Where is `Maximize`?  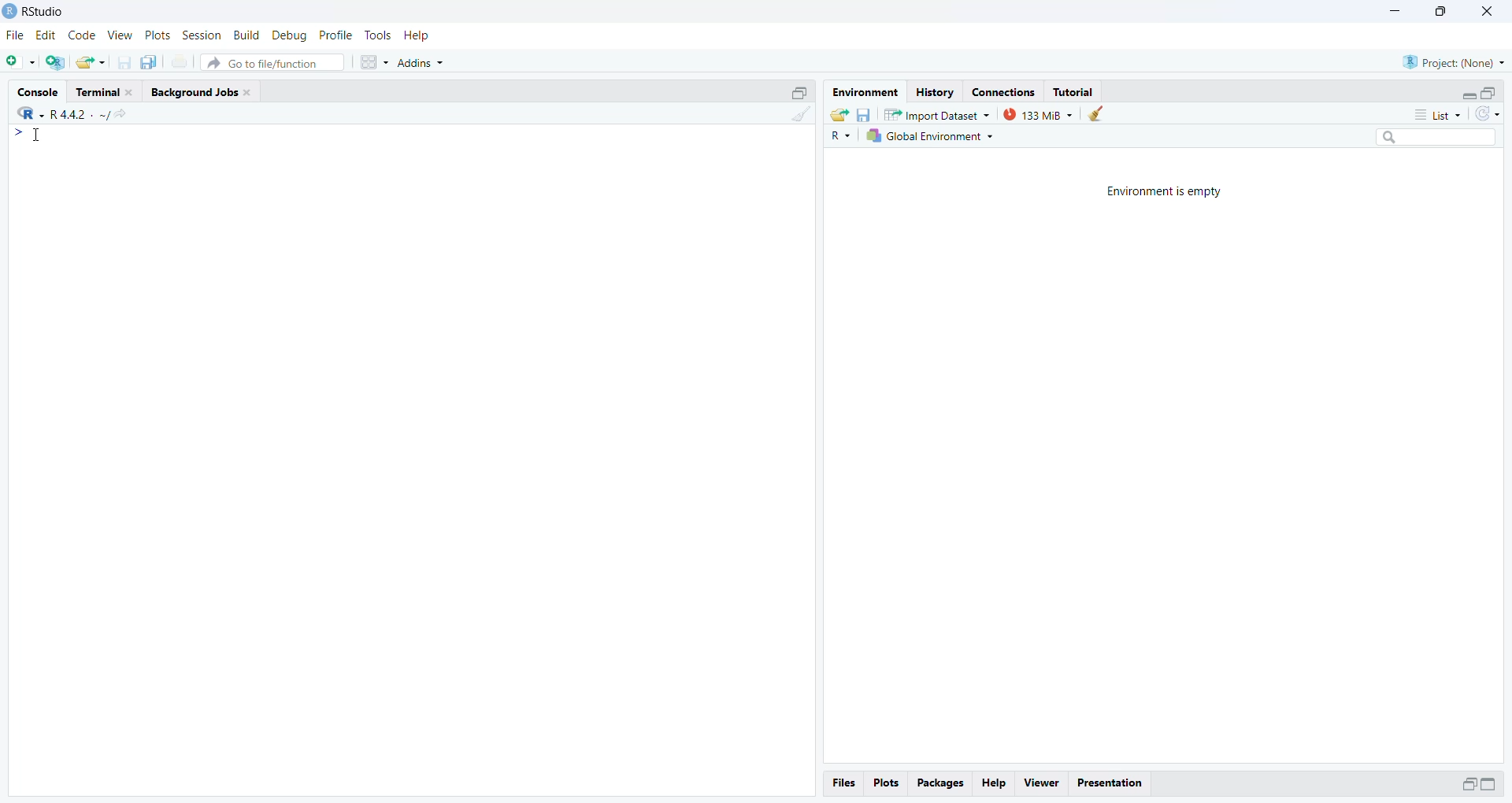
Maximize is located at coordinates (1442, 12).